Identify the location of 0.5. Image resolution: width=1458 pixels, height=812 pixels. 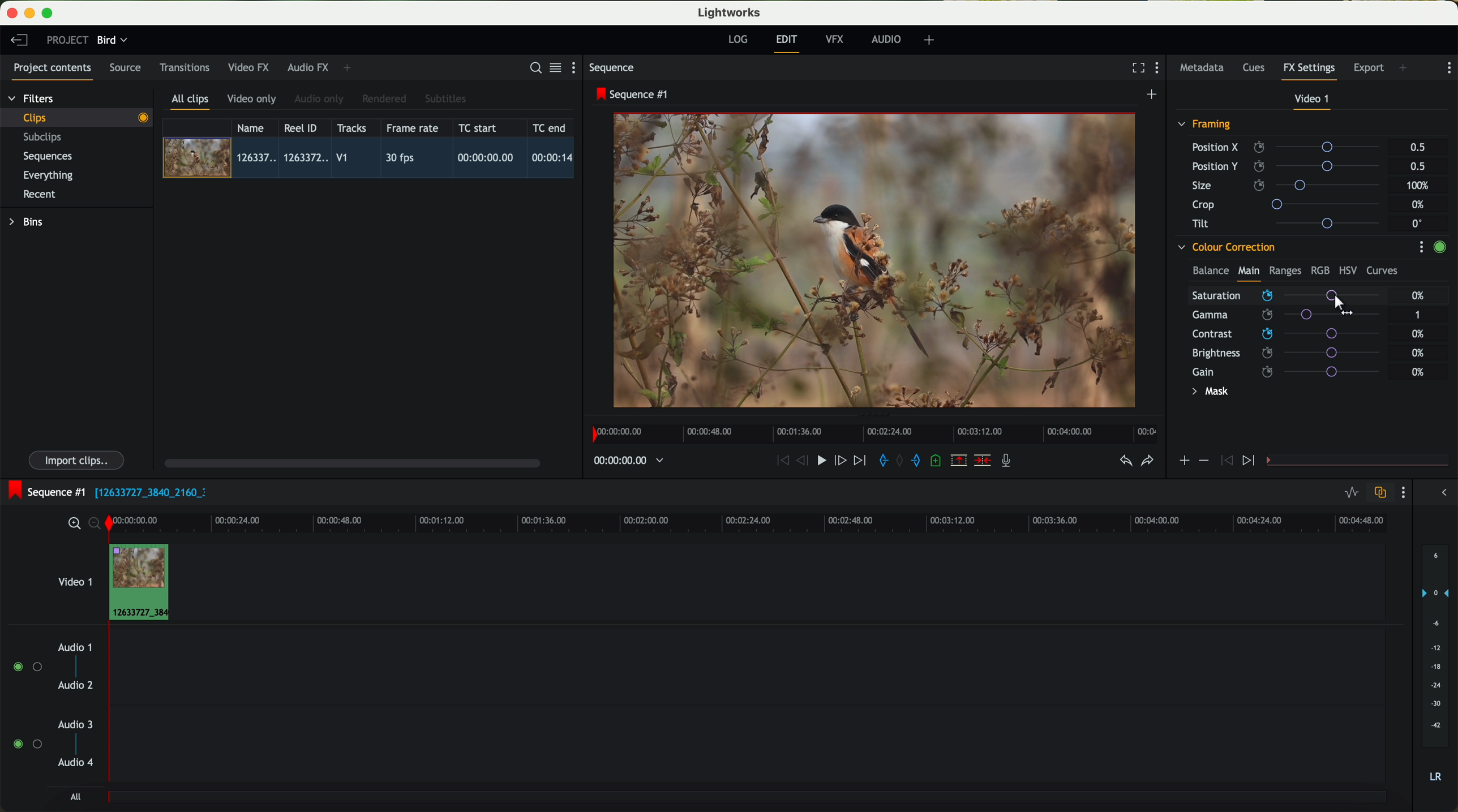
(1417, 166).